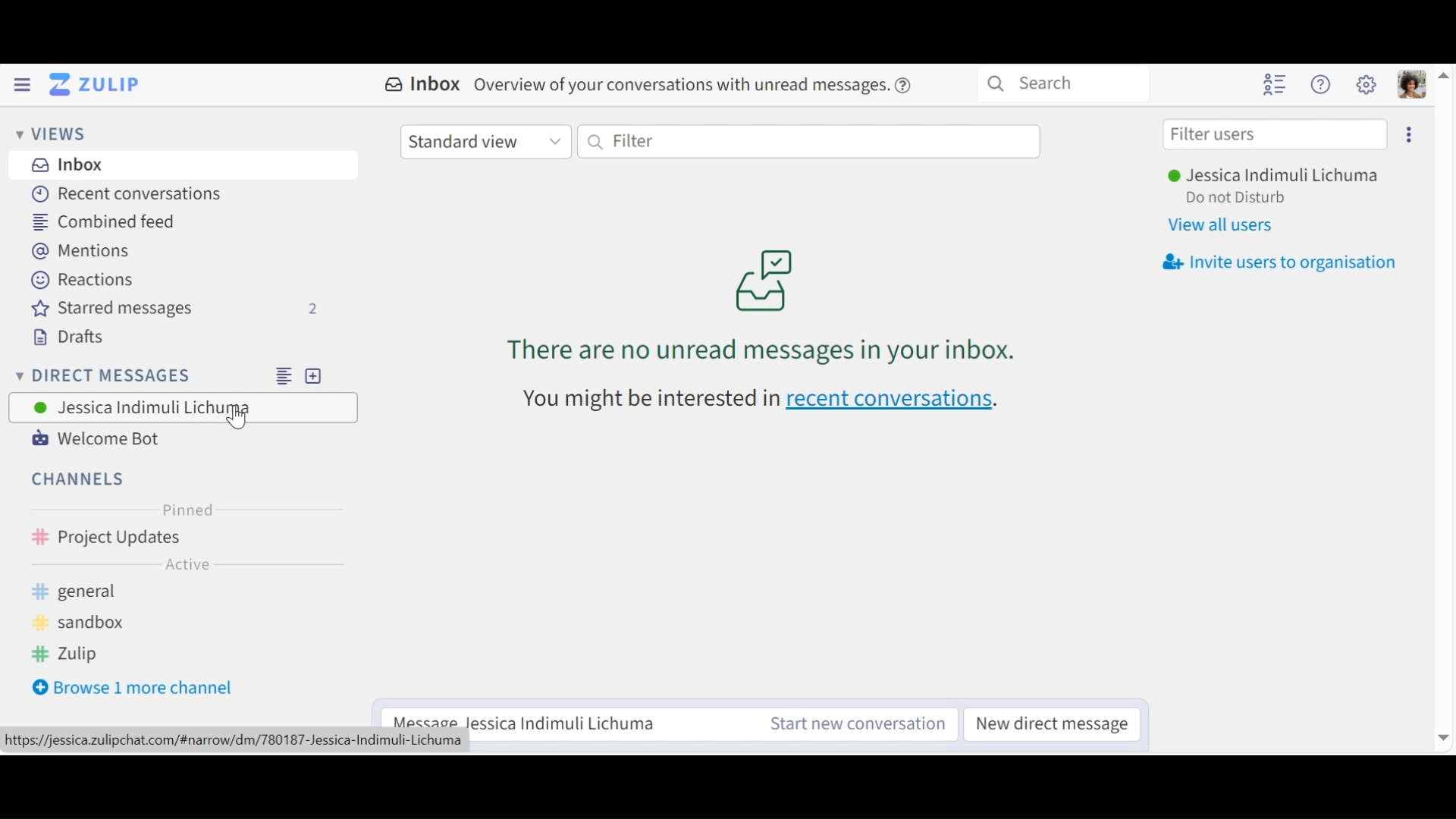 The height and width of the screenshot is (819, 1456). Describe the element at coordinates (47, 132) in the screenshot. I see `Views` at that location.